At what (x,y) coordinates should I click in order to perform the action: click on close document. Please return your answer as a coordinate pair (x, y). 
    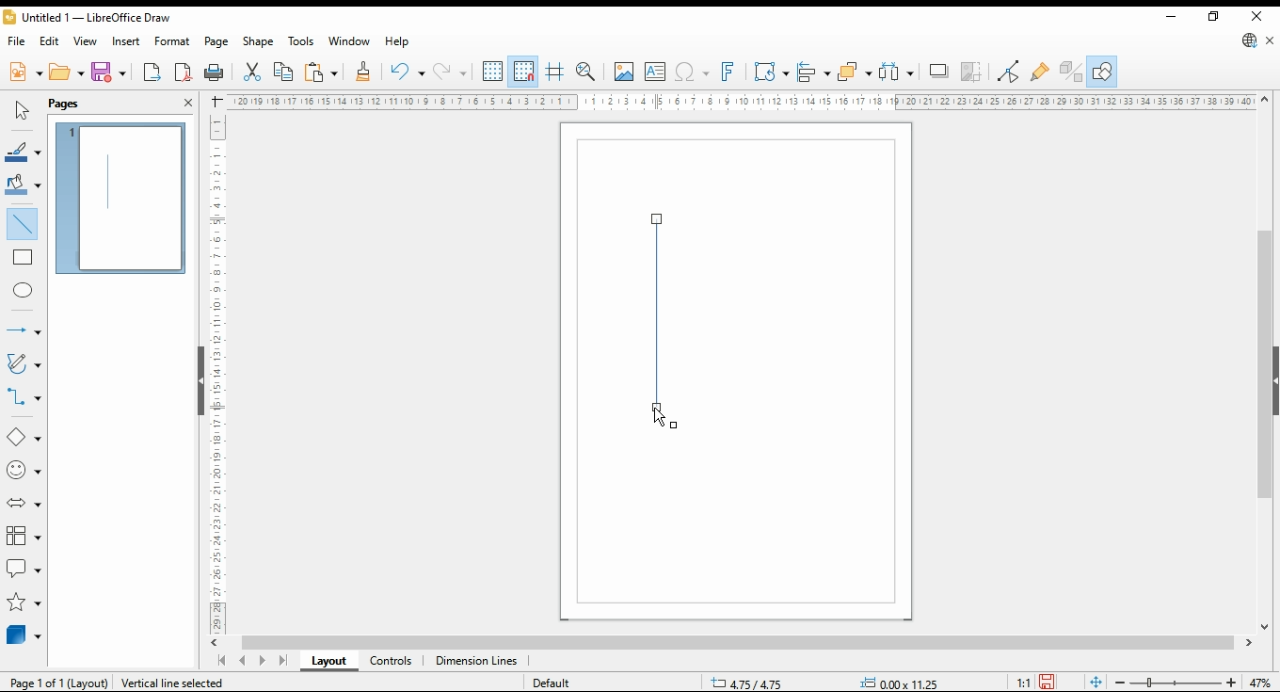
    Looking at the image, I should click on (1271, 42).